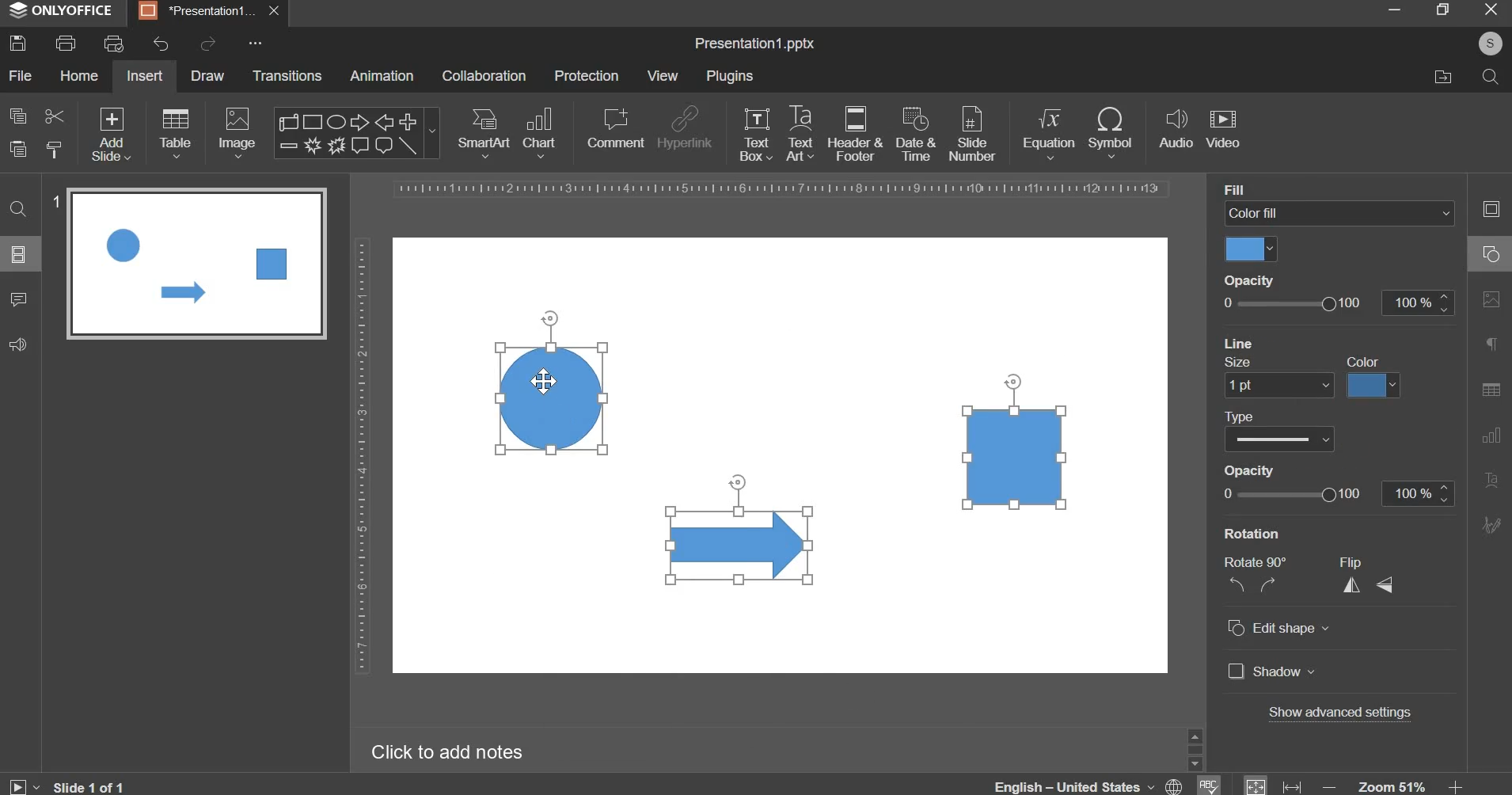 The width and height of the screenshot is (1512, 795). I want to click on text art, so click(800, 133).